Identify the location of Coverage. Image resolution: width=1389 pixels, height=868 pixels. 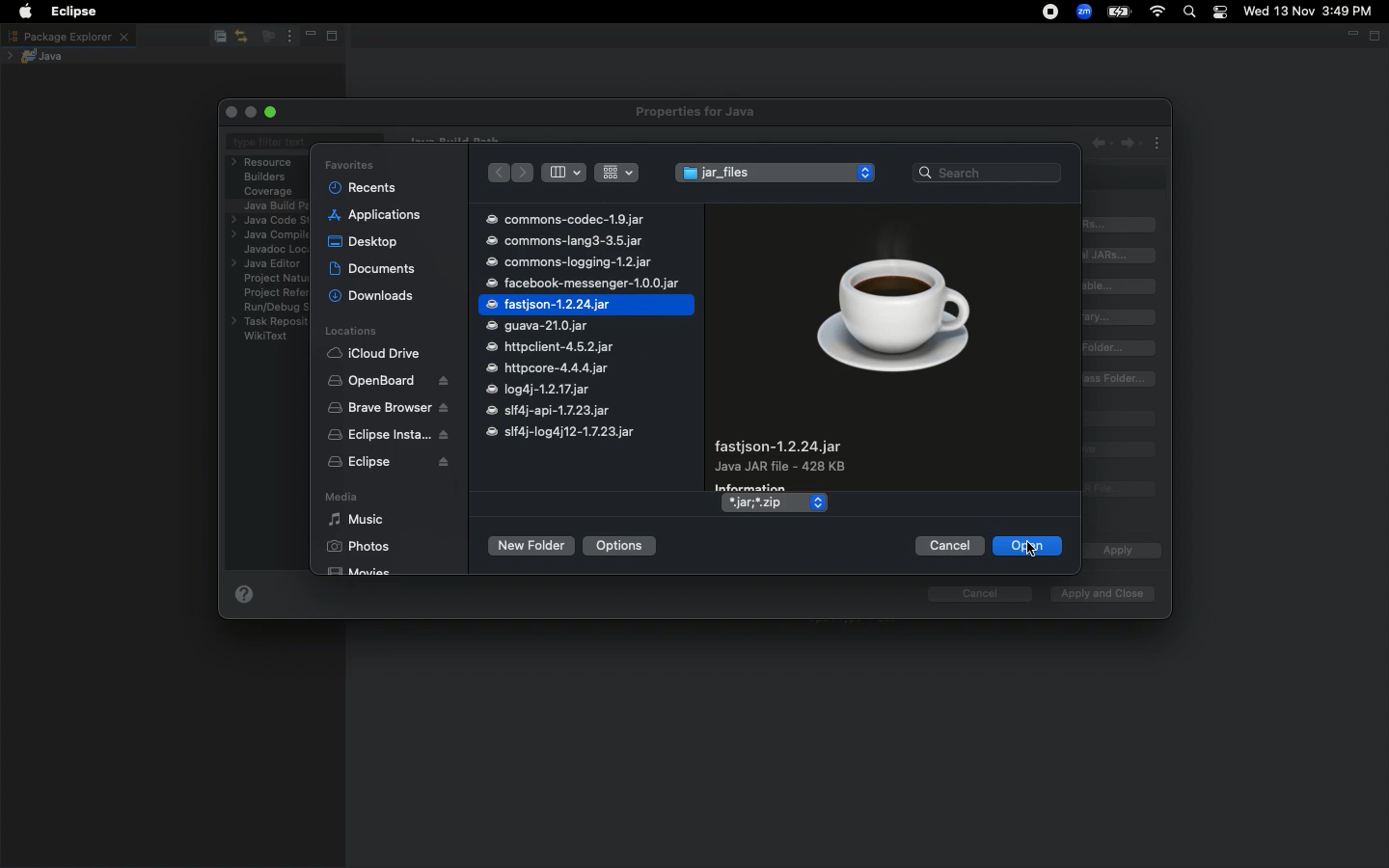
(269, 192).